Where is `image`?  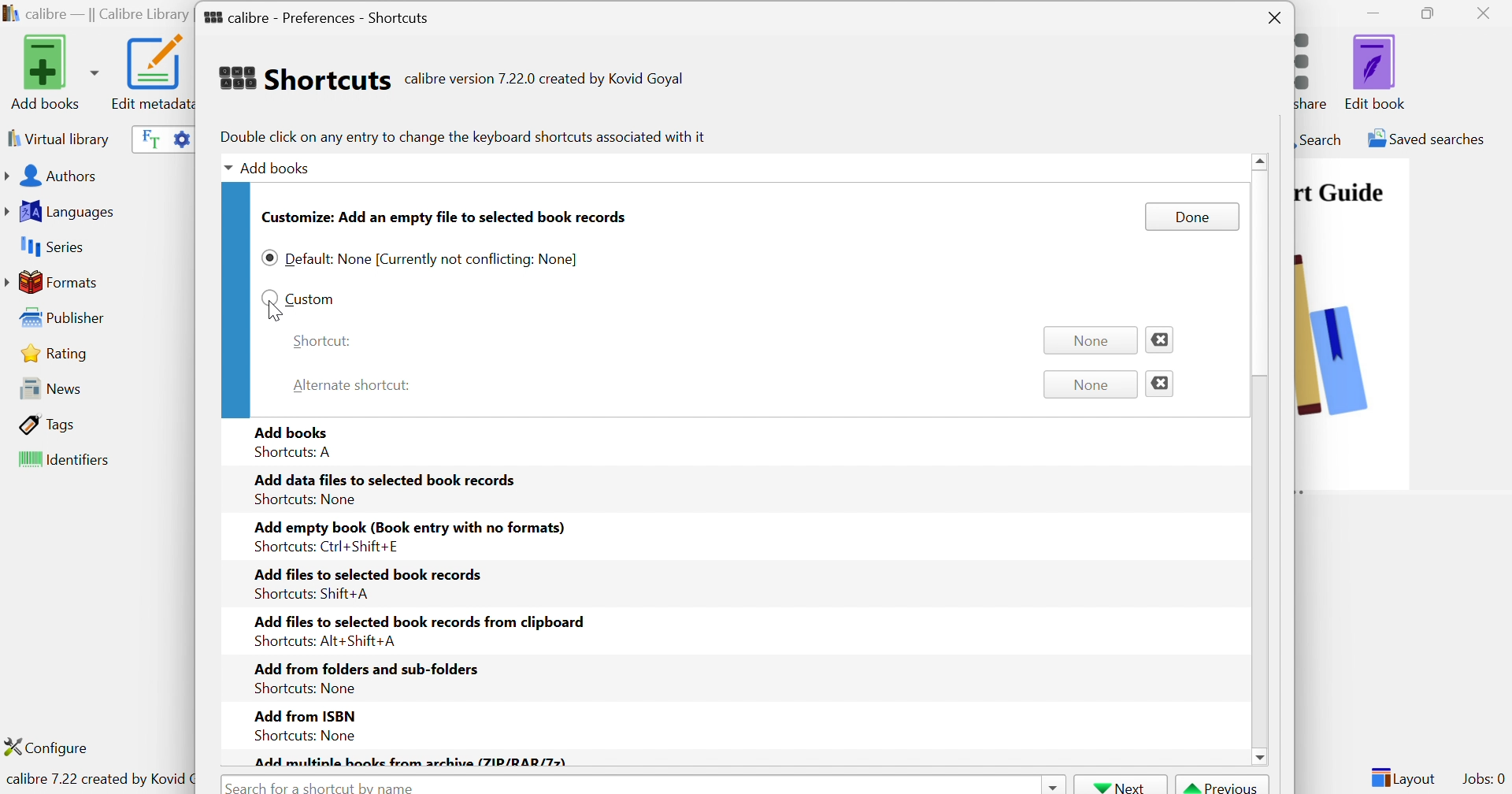
image is located at coordinates (1352, 357).